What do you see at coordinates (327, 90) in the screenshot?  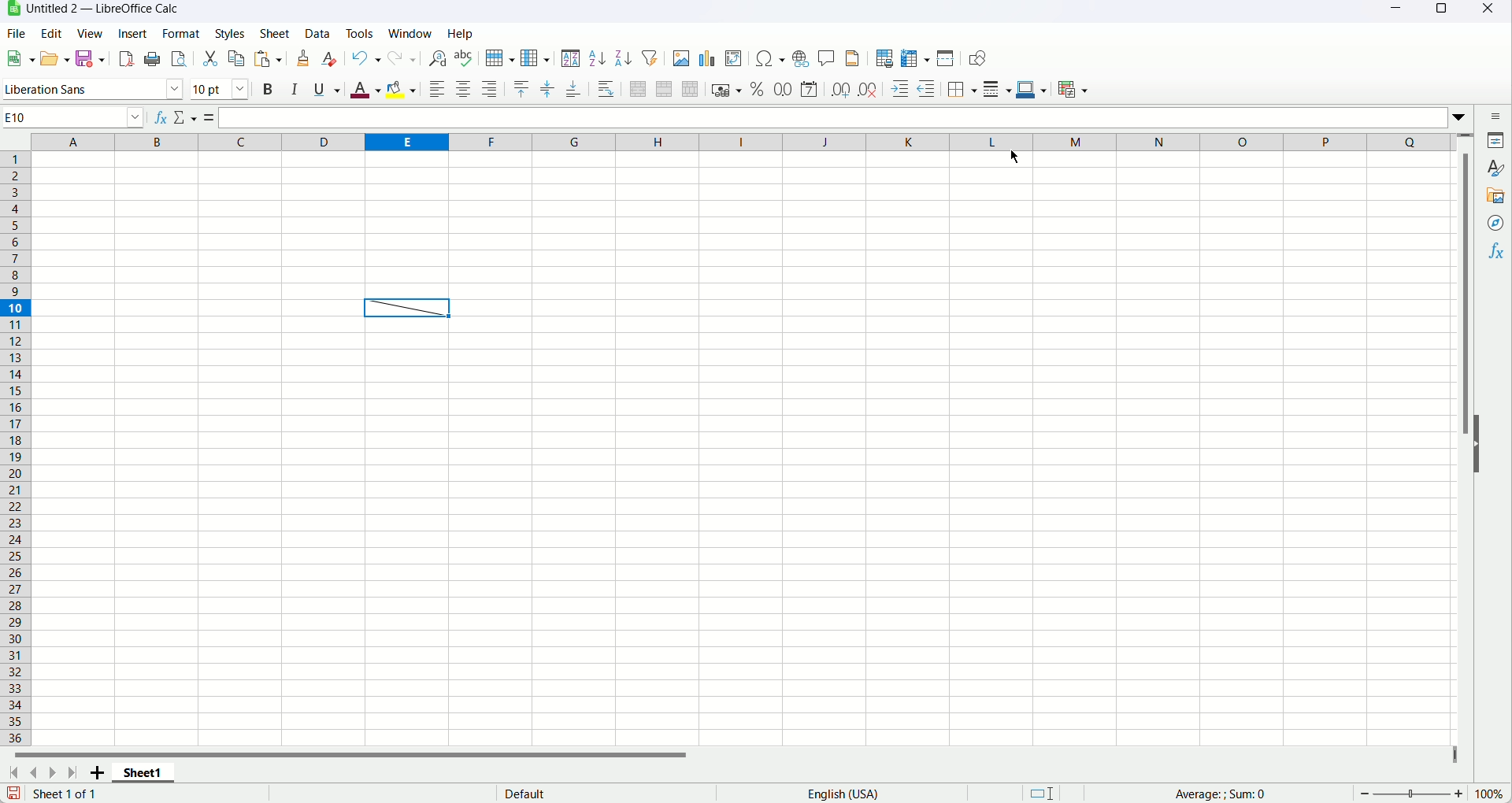 I see `Underline` at bounding box center [327, 90].